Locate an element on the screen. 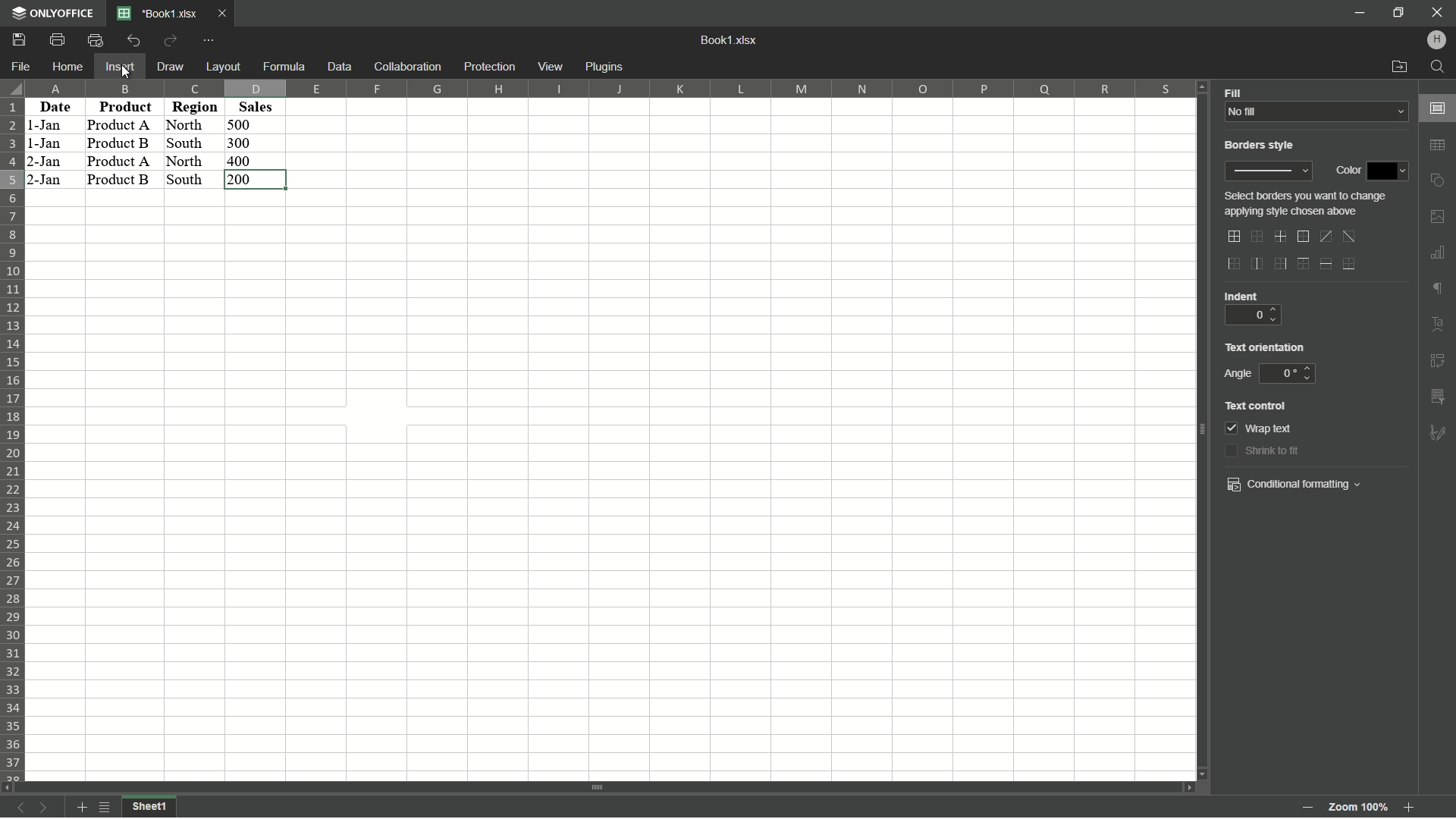  view is located at coordinates (551, 67).